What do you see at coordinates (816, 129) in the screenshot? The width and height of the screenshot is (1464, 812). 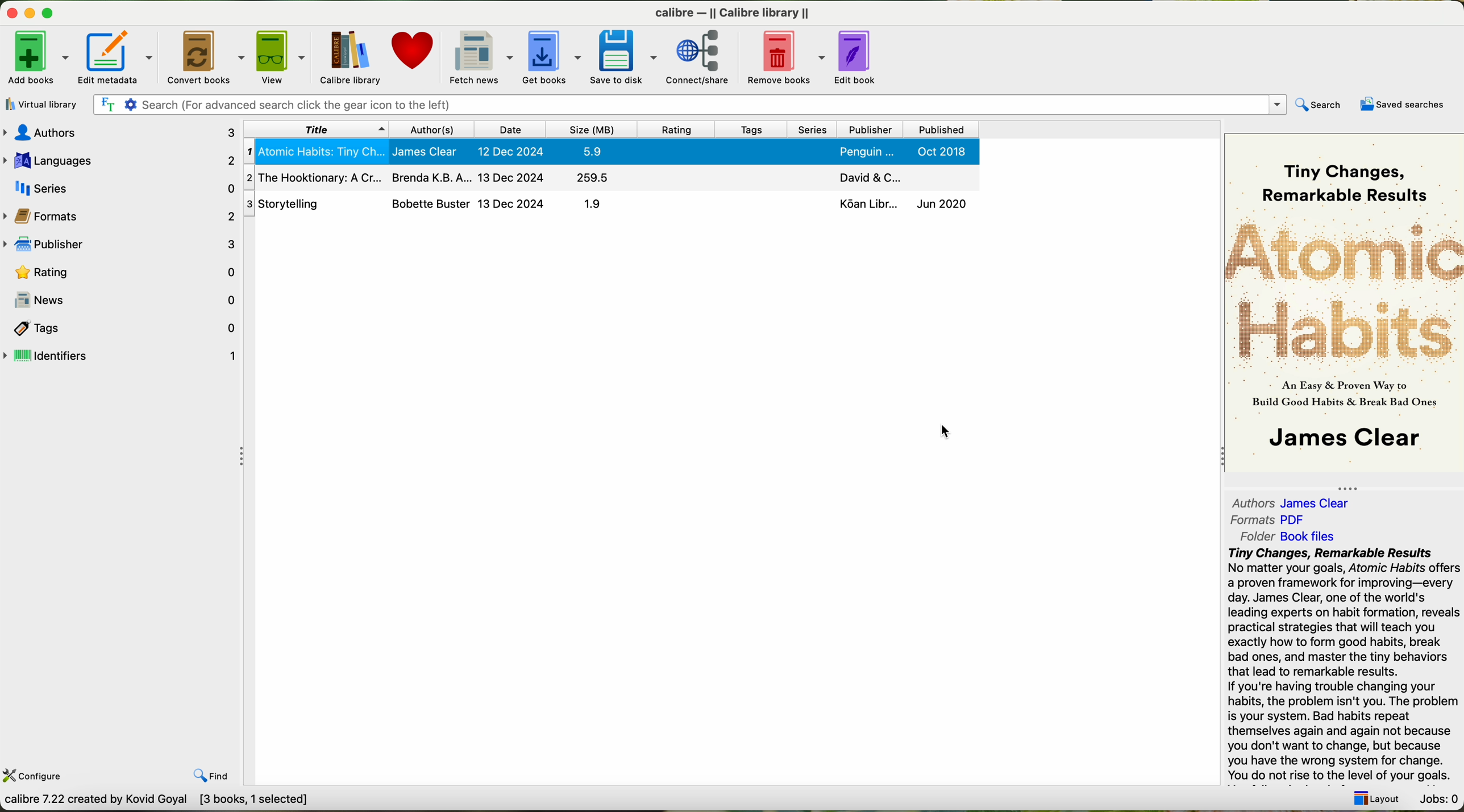 I see `series` at bounding box center [816, 129].